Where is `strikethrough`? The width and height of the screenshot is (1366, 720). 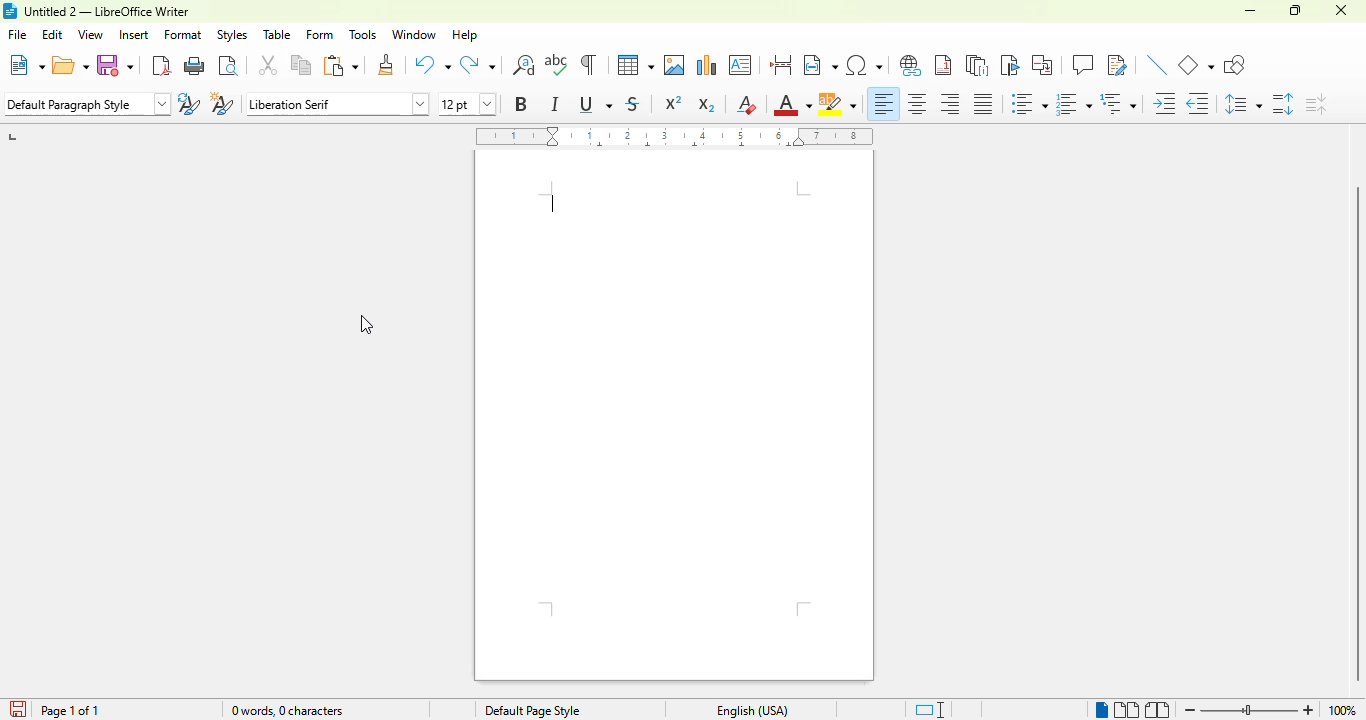 strikethrough is located at coordinates (633, 104).